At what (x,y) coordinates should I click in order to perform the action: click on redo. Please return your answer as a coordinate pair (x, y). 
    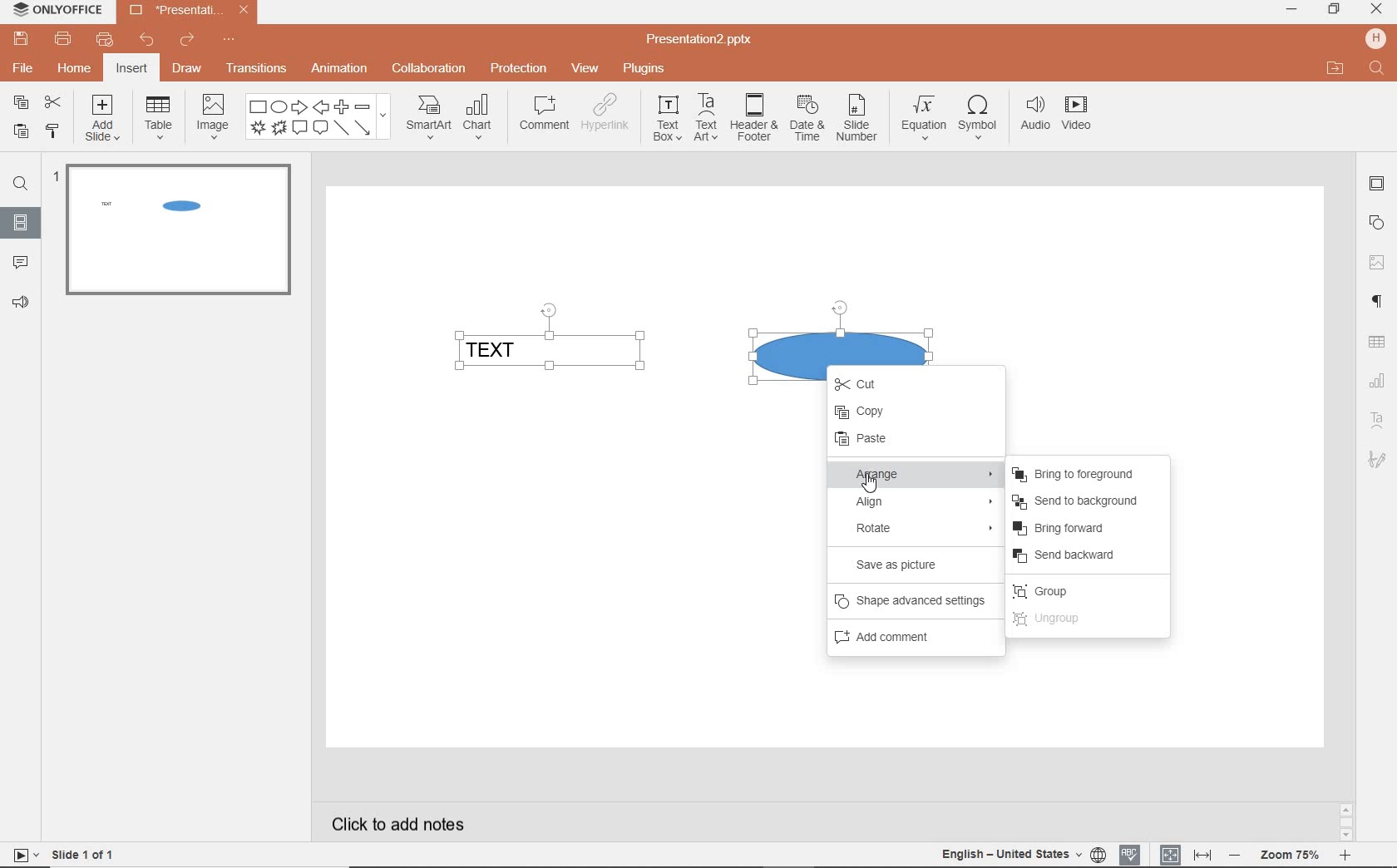
    Looking at the image, I should click on (186, 42).